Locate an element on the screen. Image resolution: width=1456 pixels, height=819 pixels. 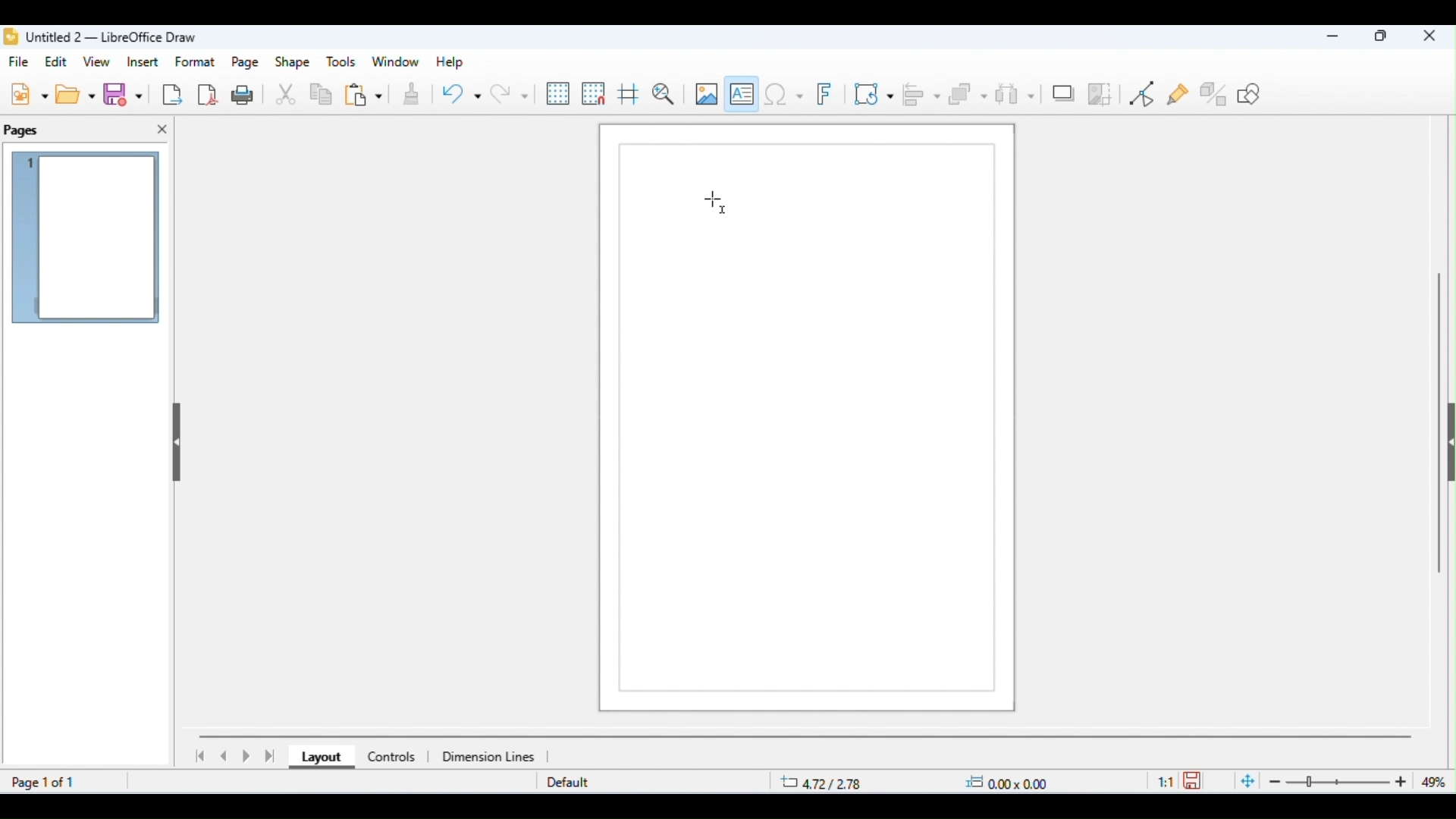
layout is located at coordinates (318, 758).